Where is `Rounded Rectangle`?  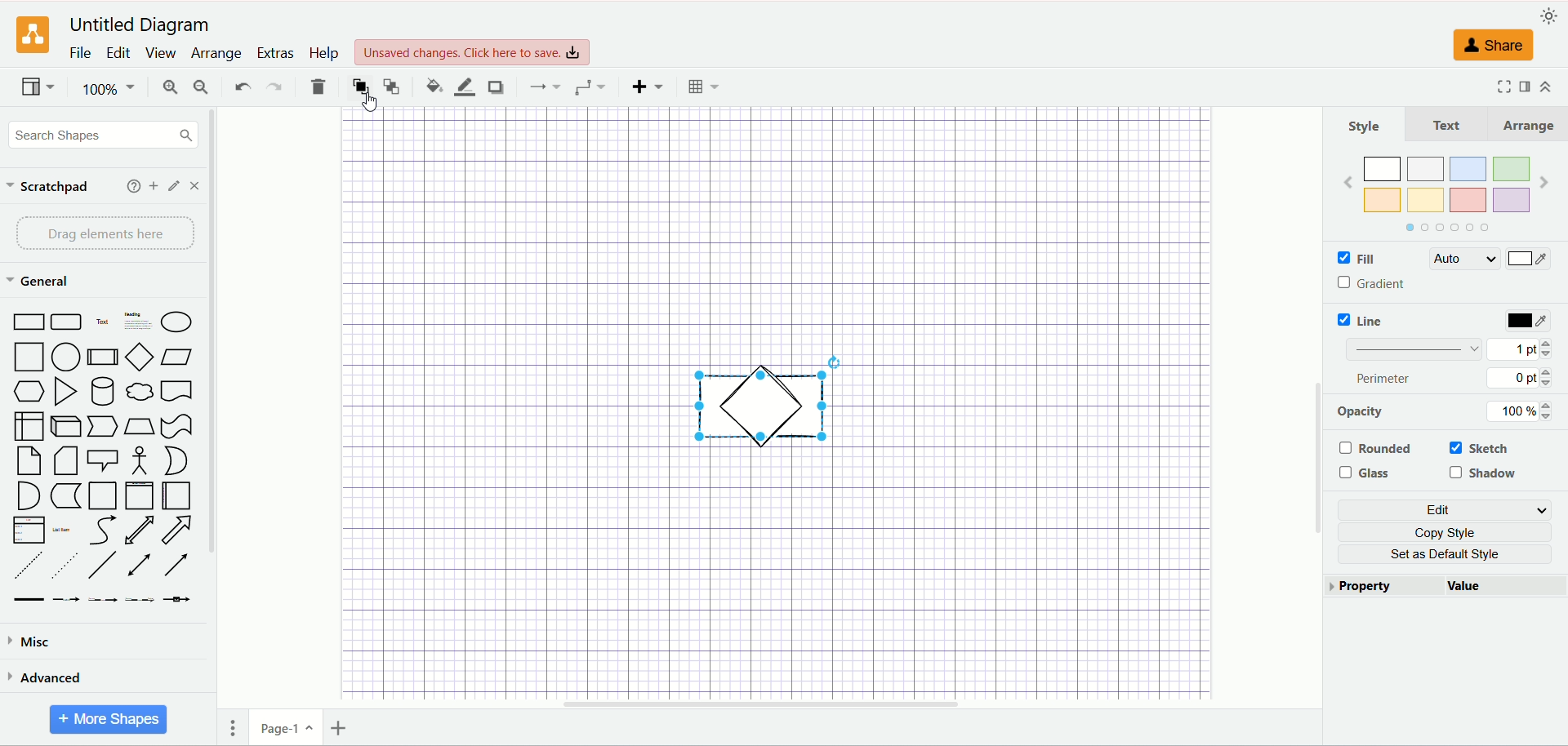
Rounded Rectangle is located at coordinates (67, 322).